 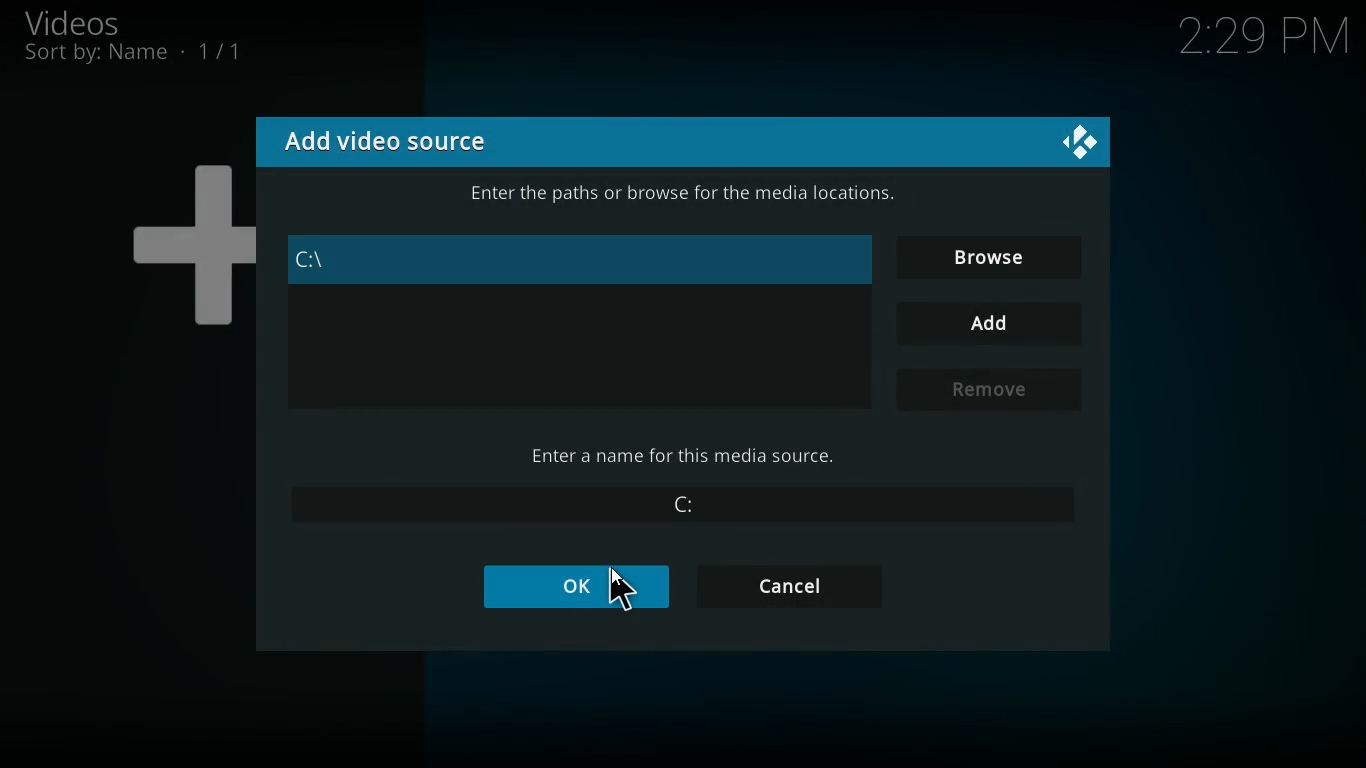 I want to click on videos, so click(x=96, y=22).